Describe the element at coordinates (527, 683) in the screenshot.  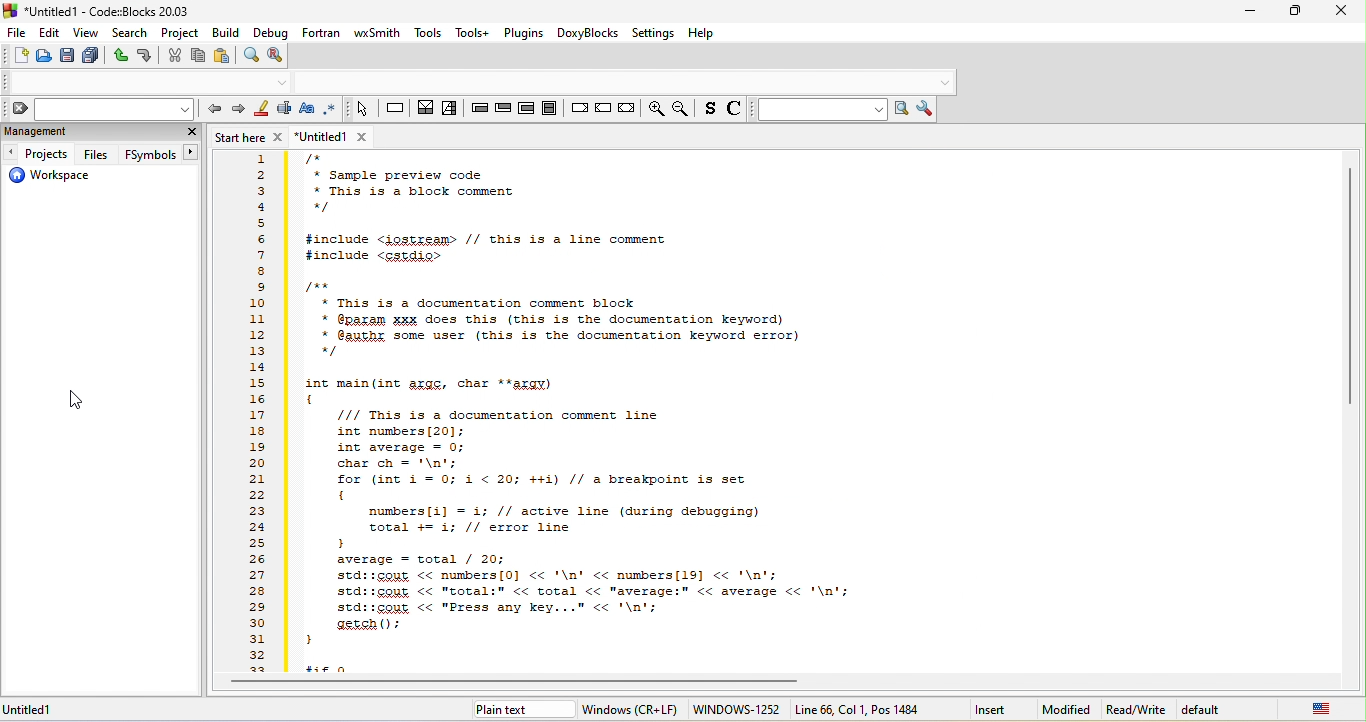
I see `horizontal scroll bar` at that location.